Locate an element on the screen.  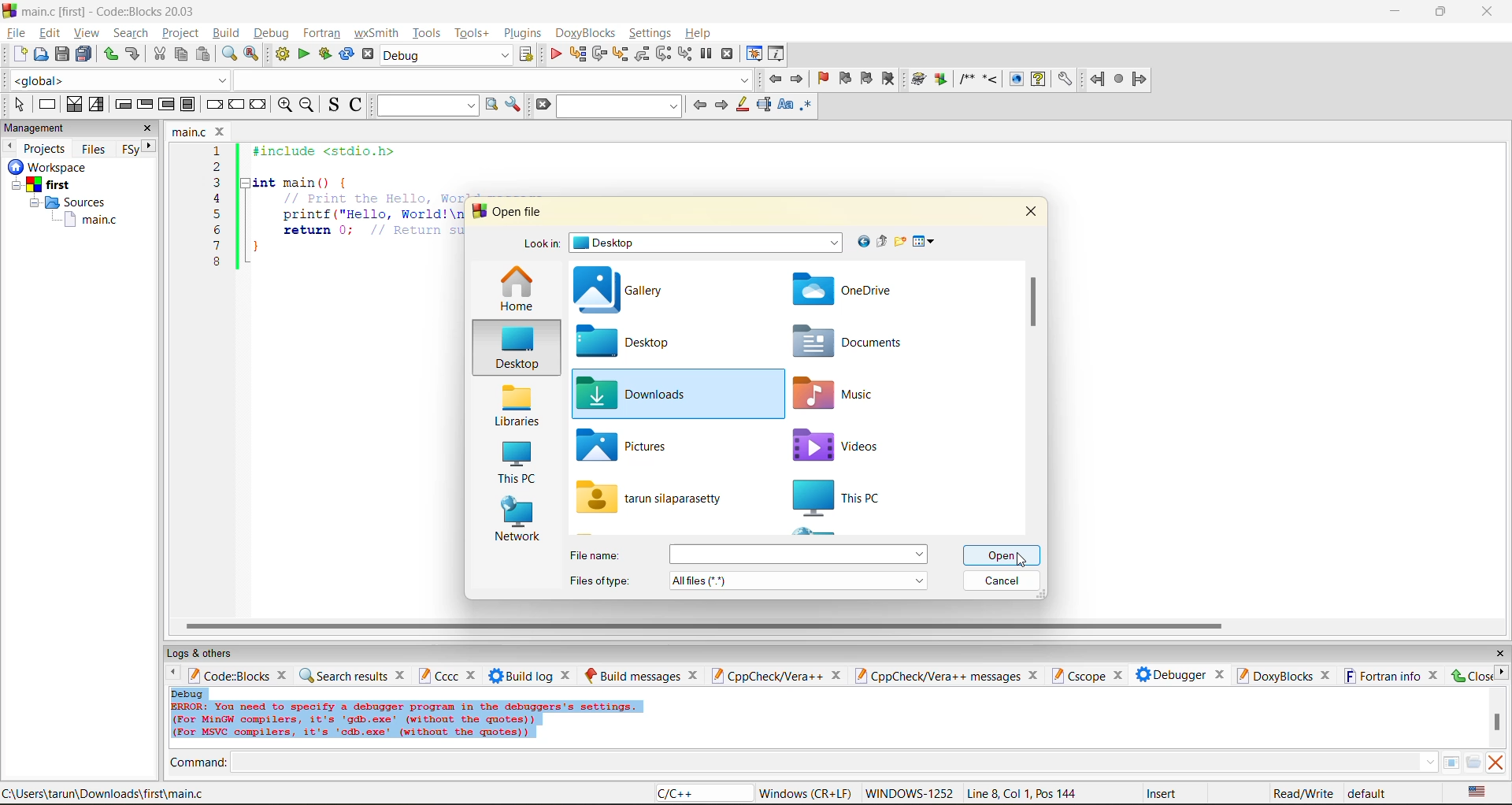
toggle source is located at coordinates (335, 104).